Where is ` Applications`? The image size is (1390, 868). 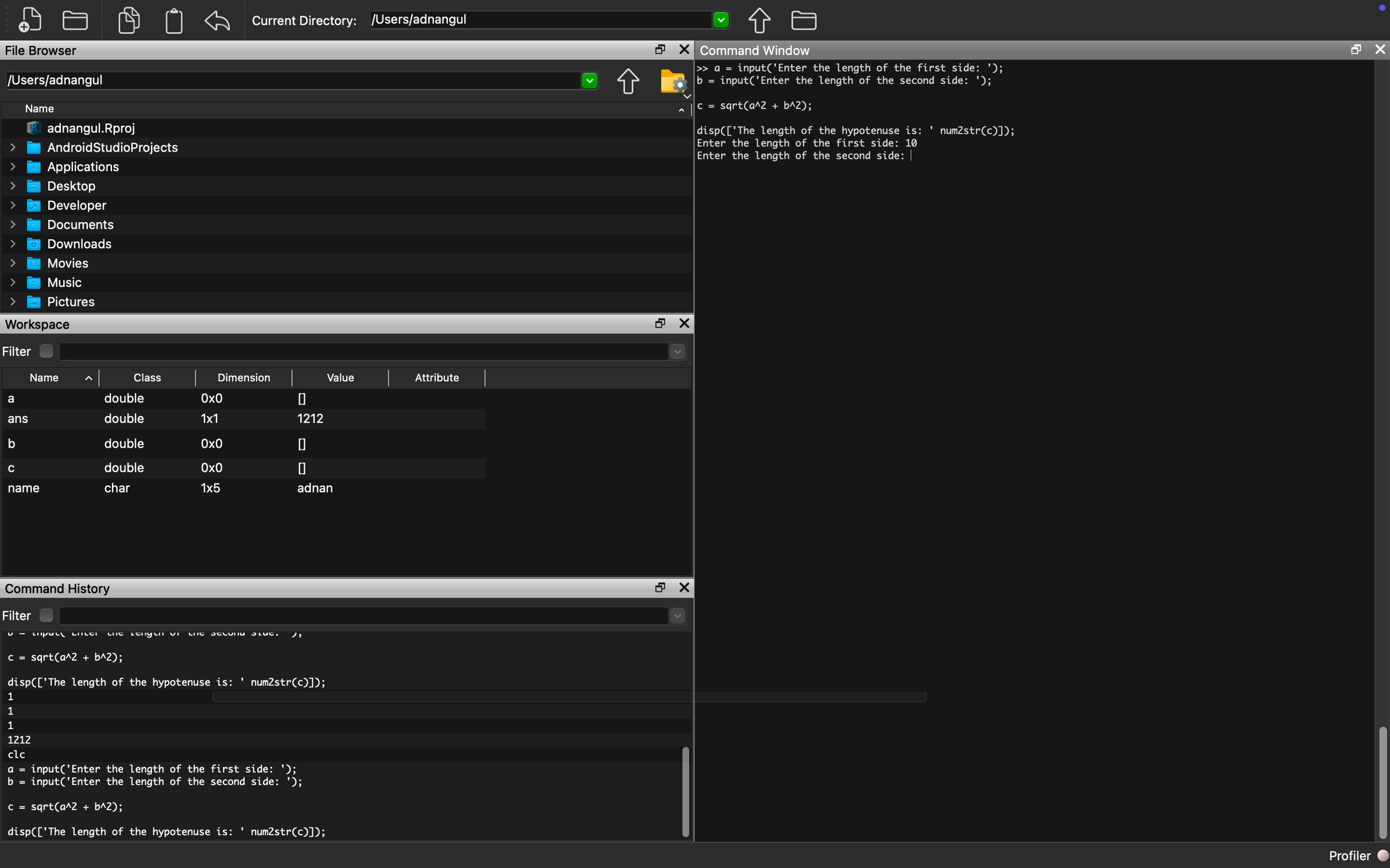
 Applications is located at coordinates (70, 166).